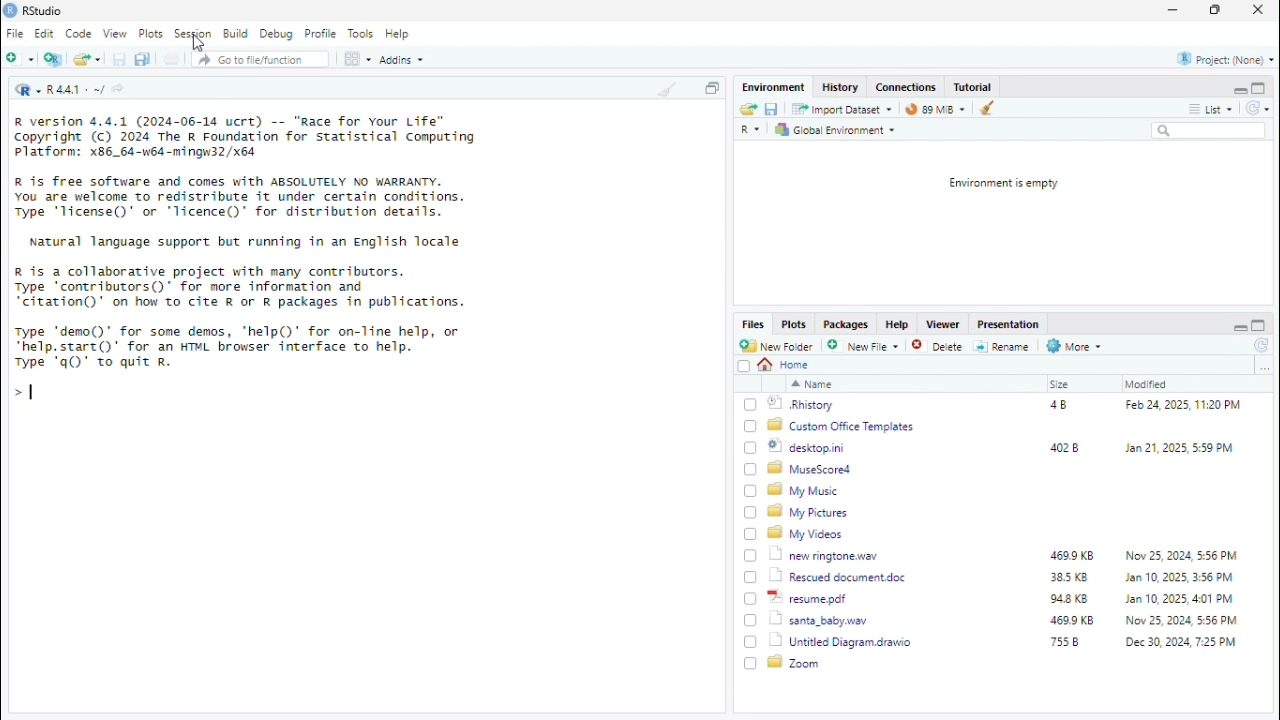  What do you see at coordinates (811, 512) in the screenshot?
I see `My Pictures` at bounding box center [811, 512].